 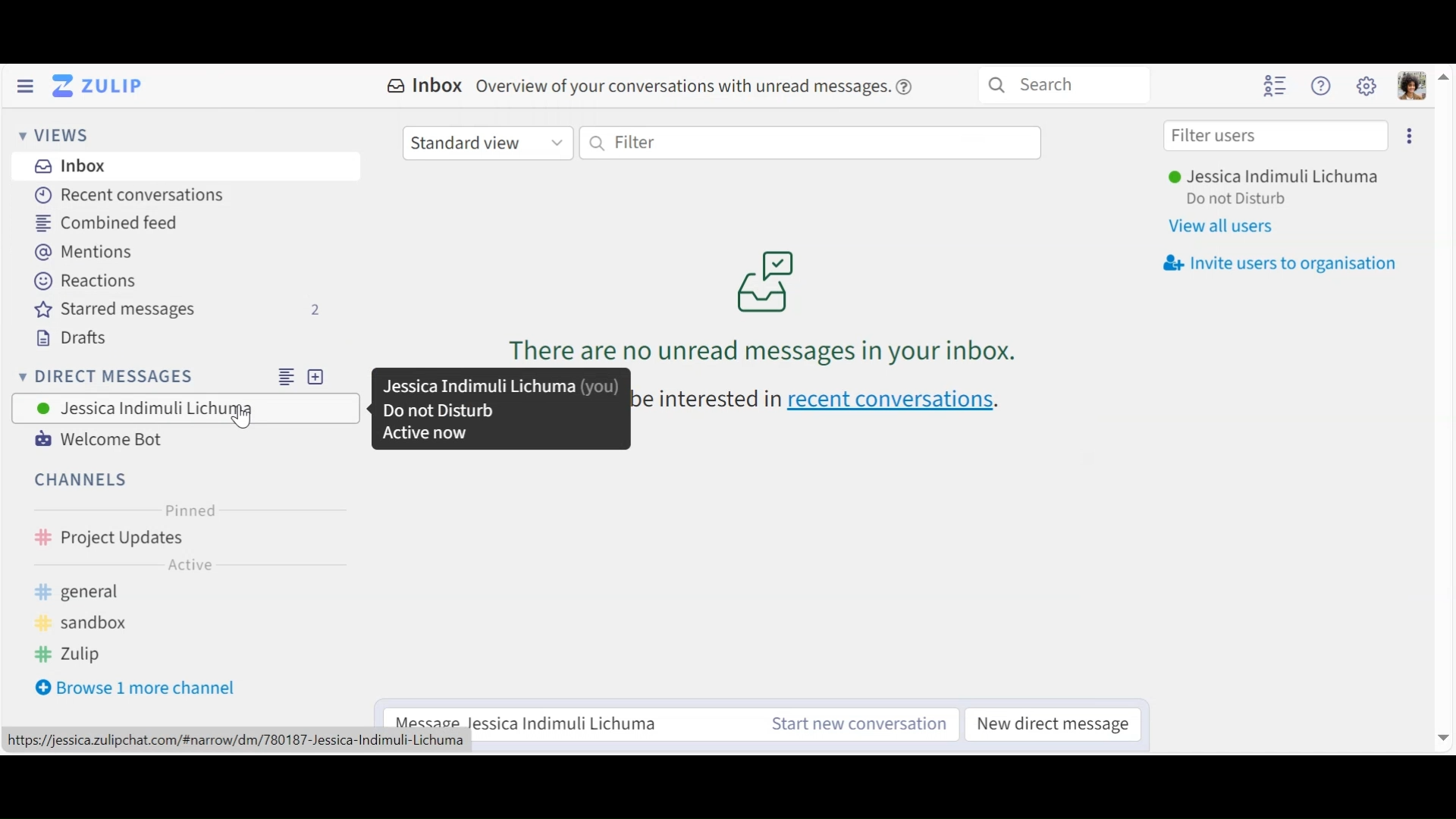 I want to click on User, so click(x=185, y=408).